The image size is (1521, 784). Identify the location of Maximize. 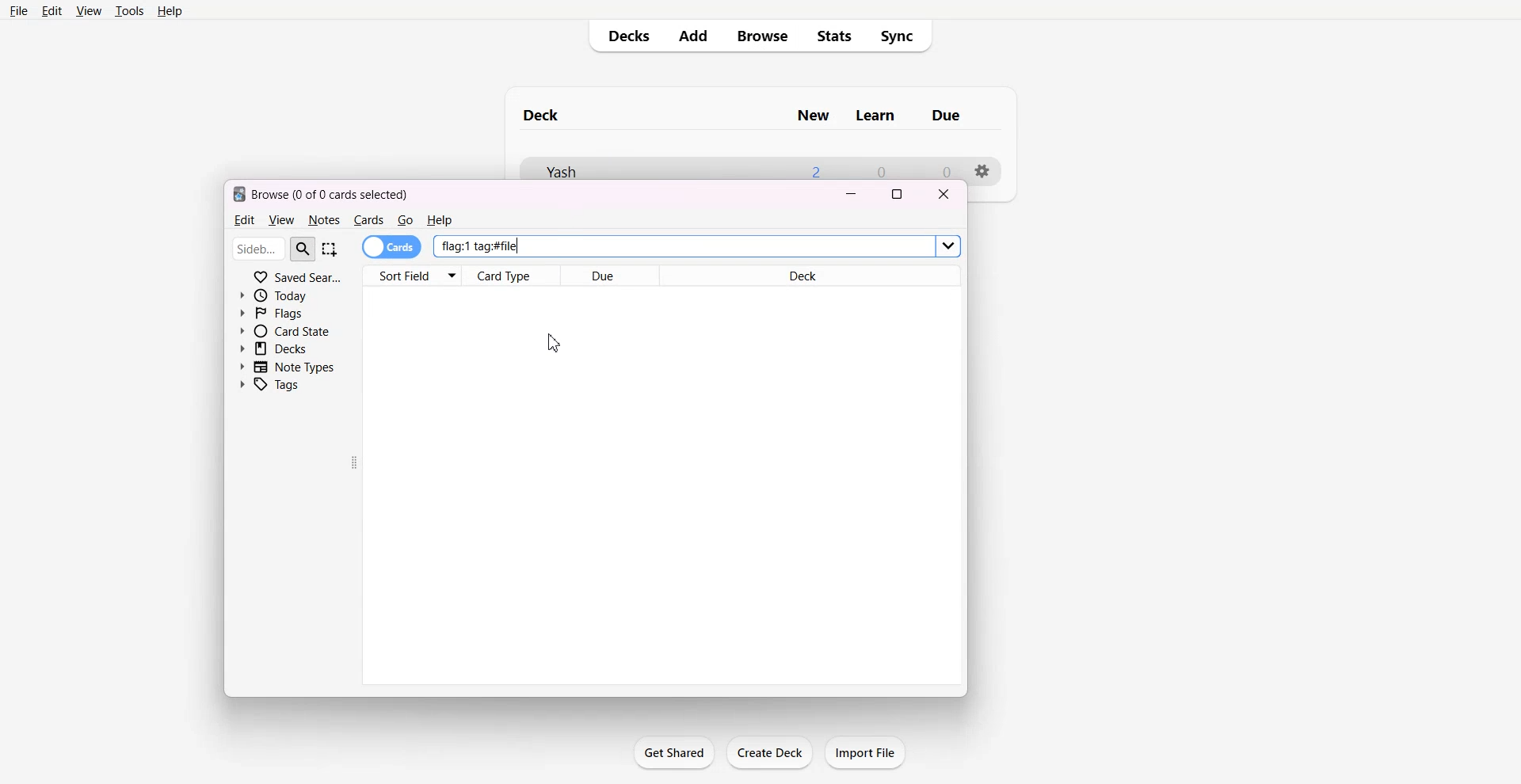
(897, 192).